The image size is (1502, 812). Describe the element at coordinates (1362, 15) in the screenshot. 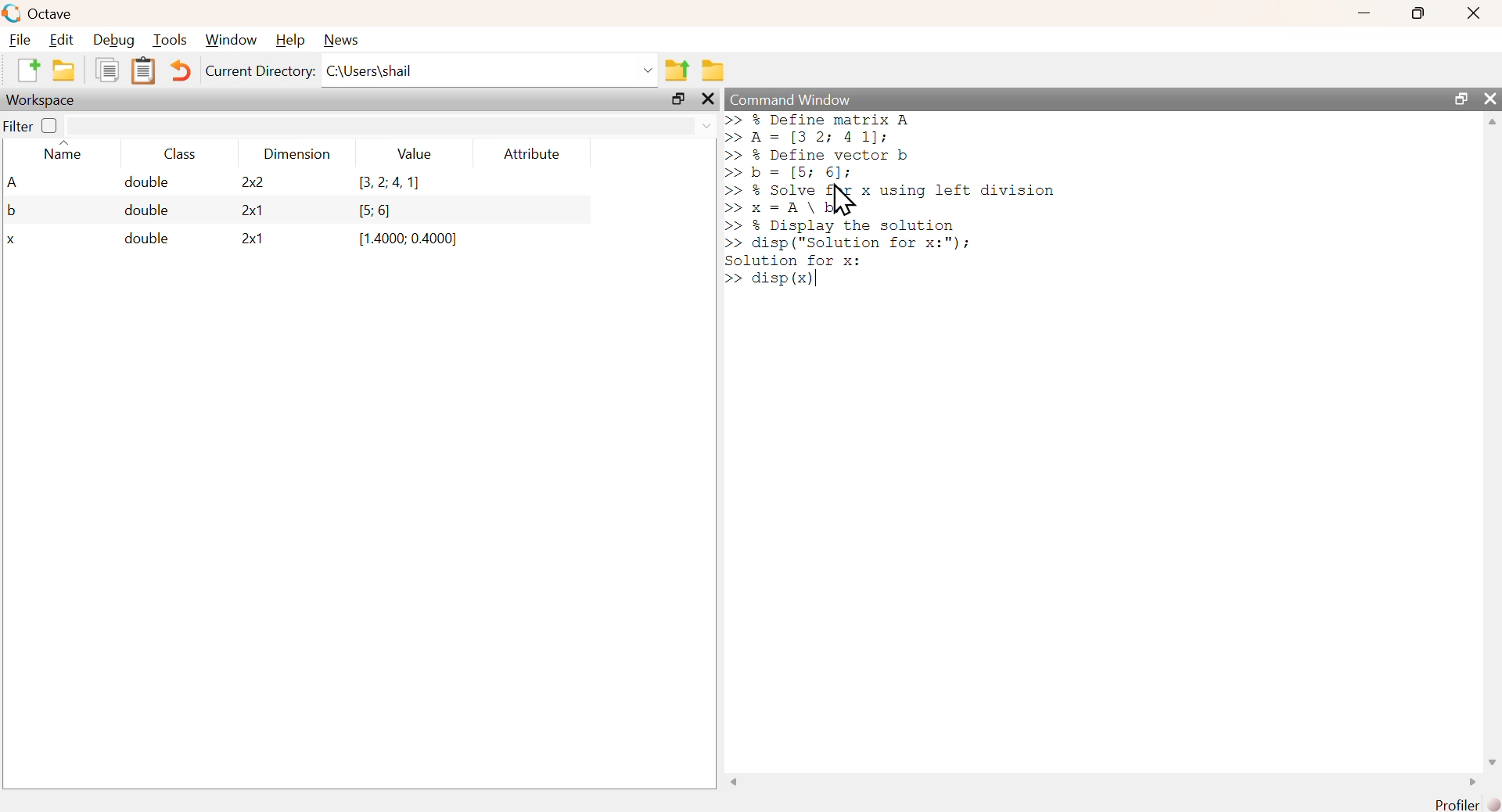

I see `minimize` at that location.